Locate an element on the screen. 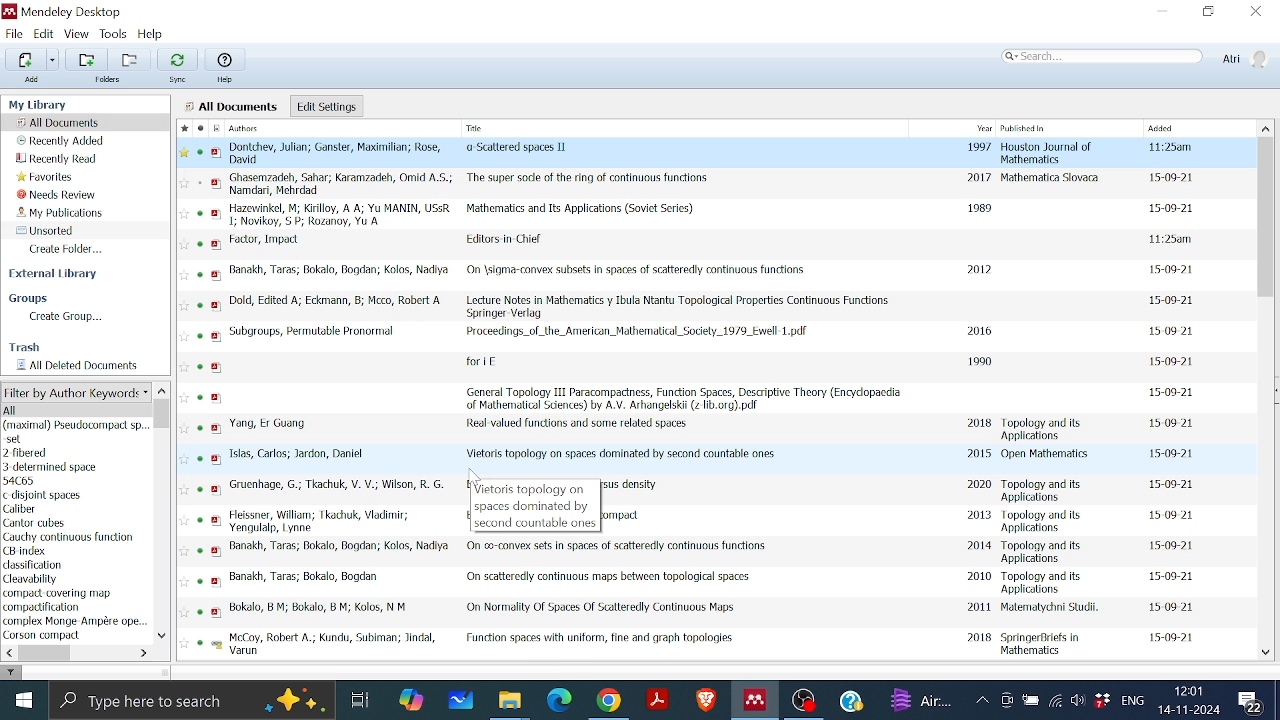 This screenshot has height=720, width=1280. Task View is located at coordinates (360, 700).